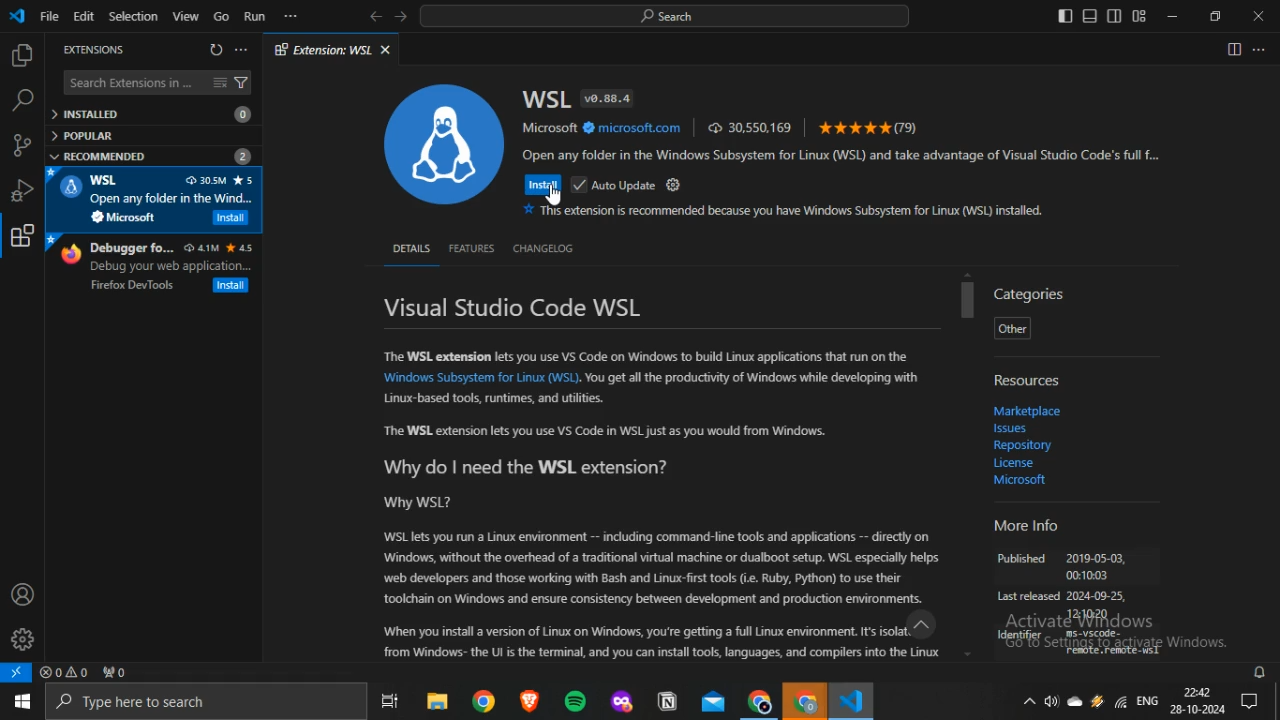 The width and height of the screenshot is (1280, 720). What do you see at coordinates (49, 16) in the screenshot?
I see `File` at bounding box center [49, 16].